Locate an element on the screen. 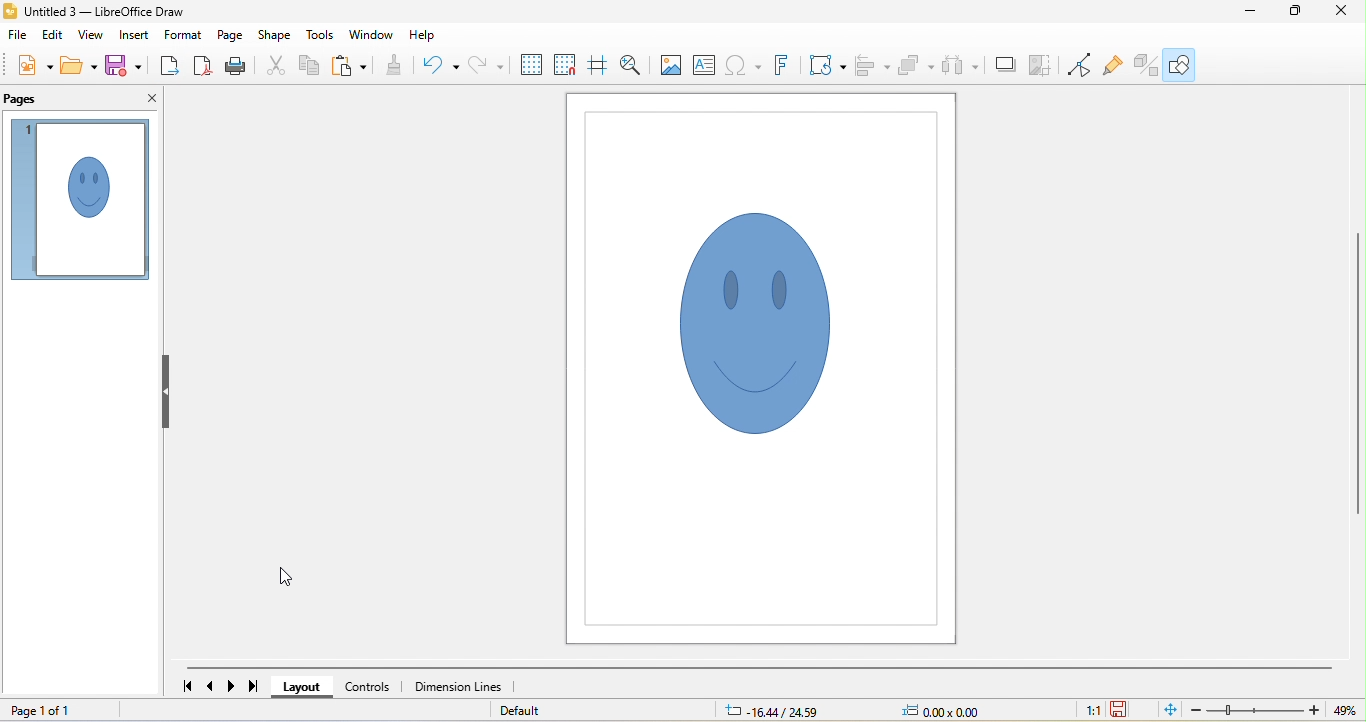  first slide is located at coordinates (191, 686).